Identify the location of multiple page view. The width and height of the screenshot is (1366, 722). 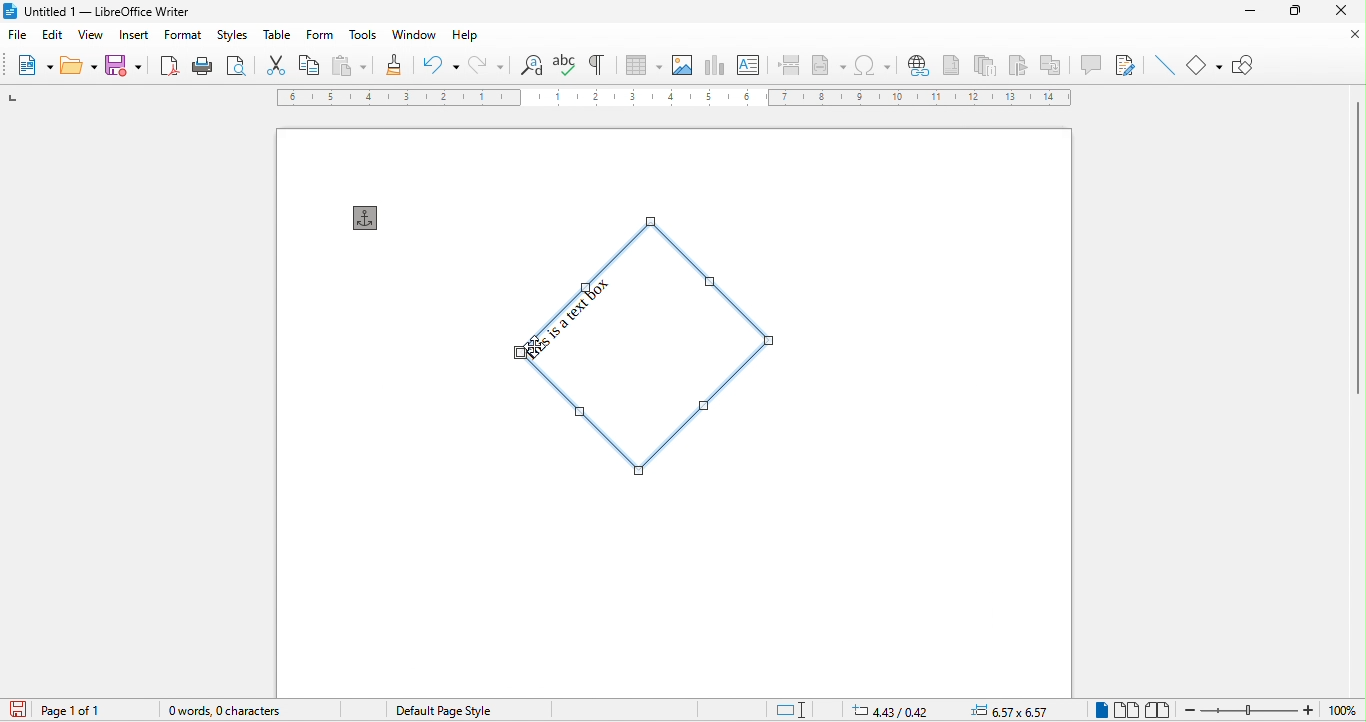
(1129, 710).